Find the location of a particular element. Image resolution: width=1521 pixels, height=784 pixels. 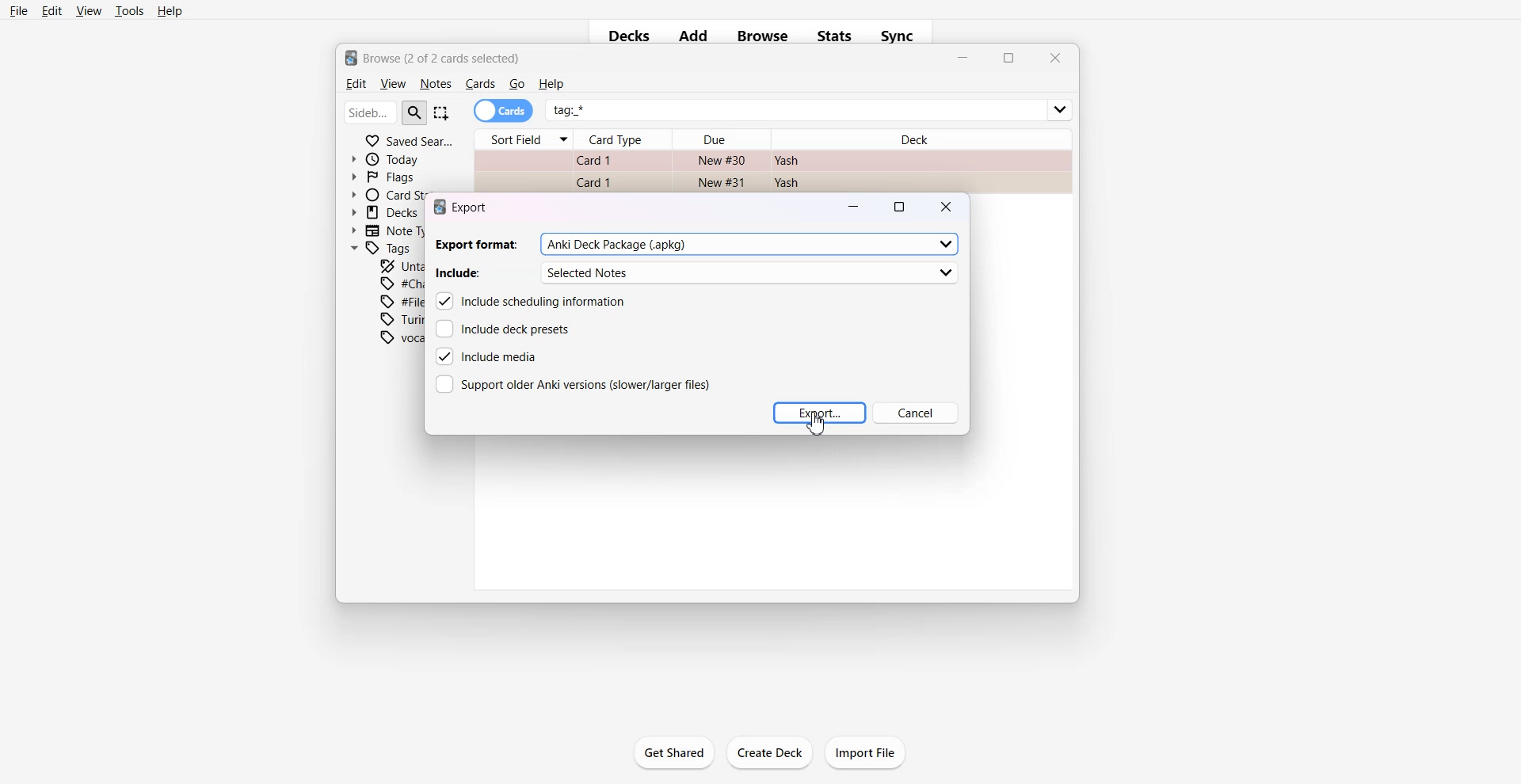

Maximize is located at coordinates (902, 206).